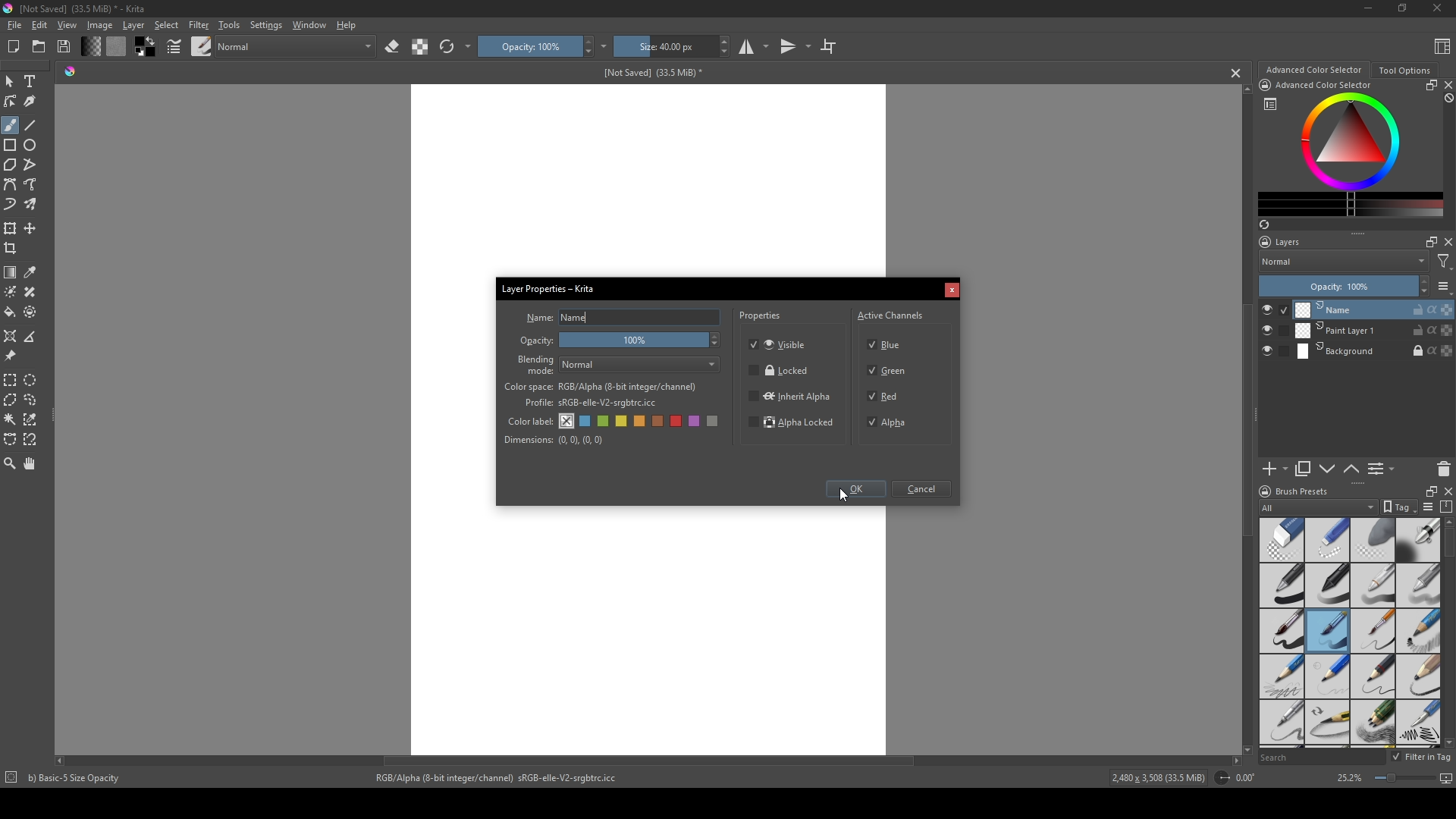 The width and height of the screenshot is (1456, 819). Describe the element at coordinates (855, 491) in the screenshot. I see `OK` at that location.